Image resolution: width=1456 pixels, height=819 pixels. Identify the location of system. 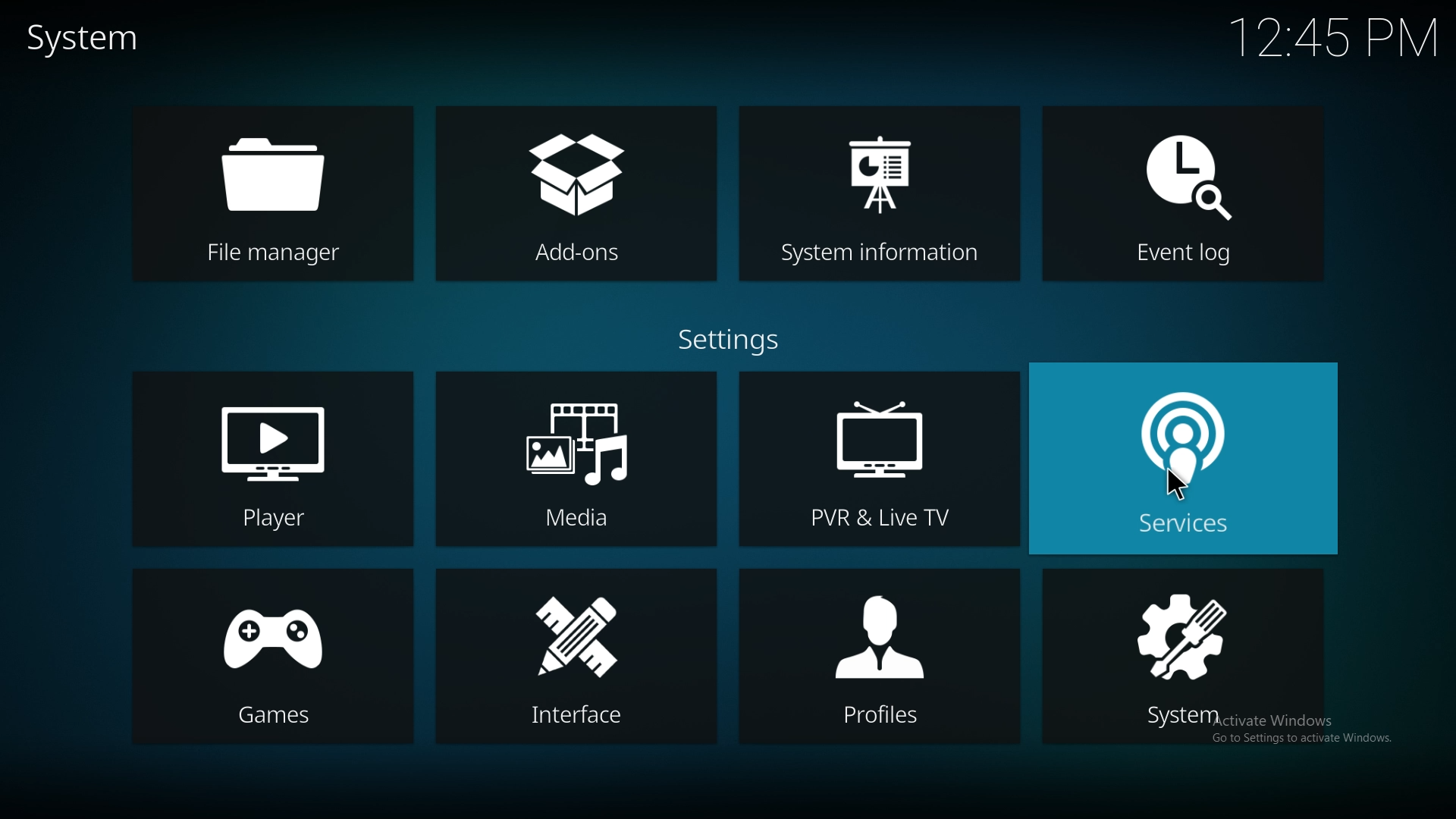
(88, 38).